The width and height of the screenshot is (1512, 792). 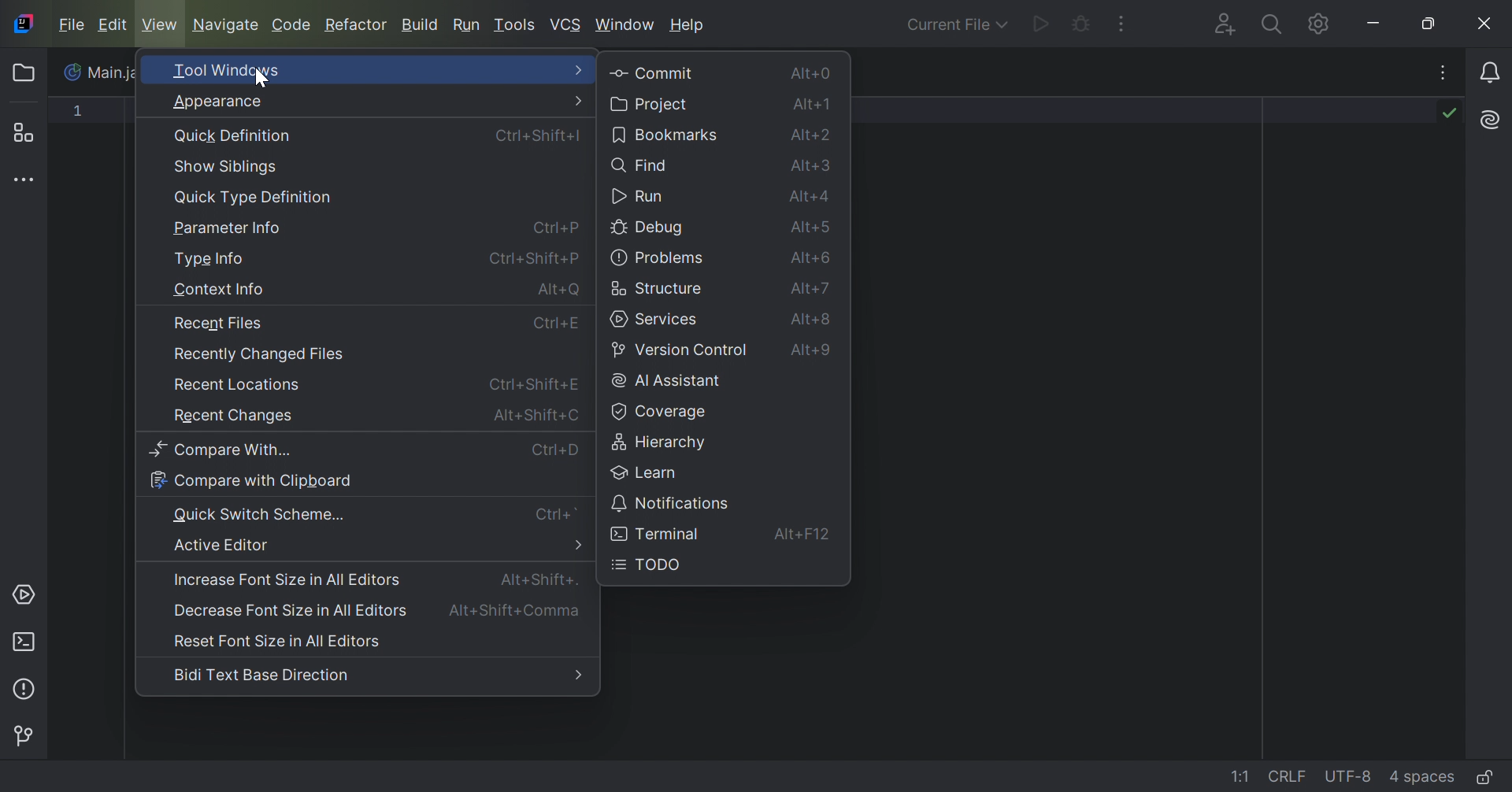 What do you see at coordinates (537, 136) in the screenshot?
I see `Ctrl+Shift+I` at bounding box center [537, 136].